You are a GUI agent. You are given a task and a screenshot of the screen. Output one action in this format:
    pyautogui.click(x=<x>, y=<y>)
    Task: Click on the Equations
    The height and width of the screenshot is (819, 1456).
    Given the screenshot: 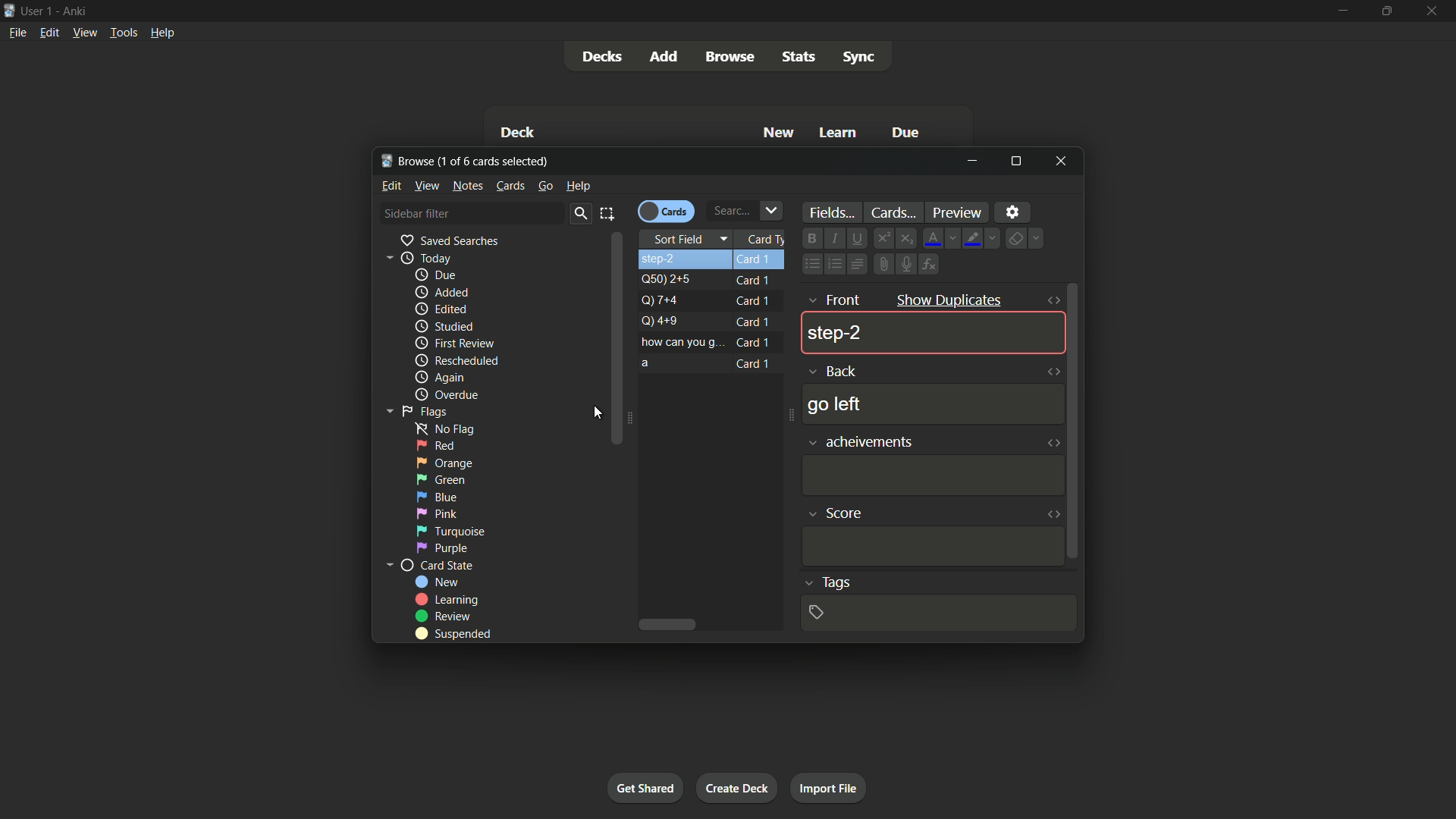 What is the action you would take?
    pyautogui.click(x=932, y=263)
    